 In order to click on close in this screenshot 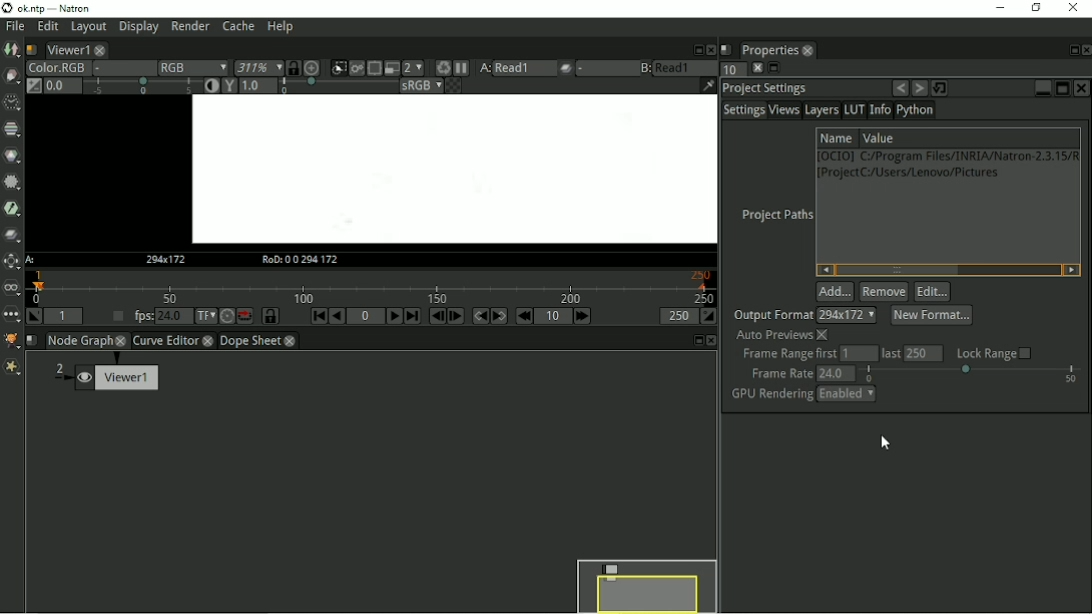, I will do `click(290, 341)`.